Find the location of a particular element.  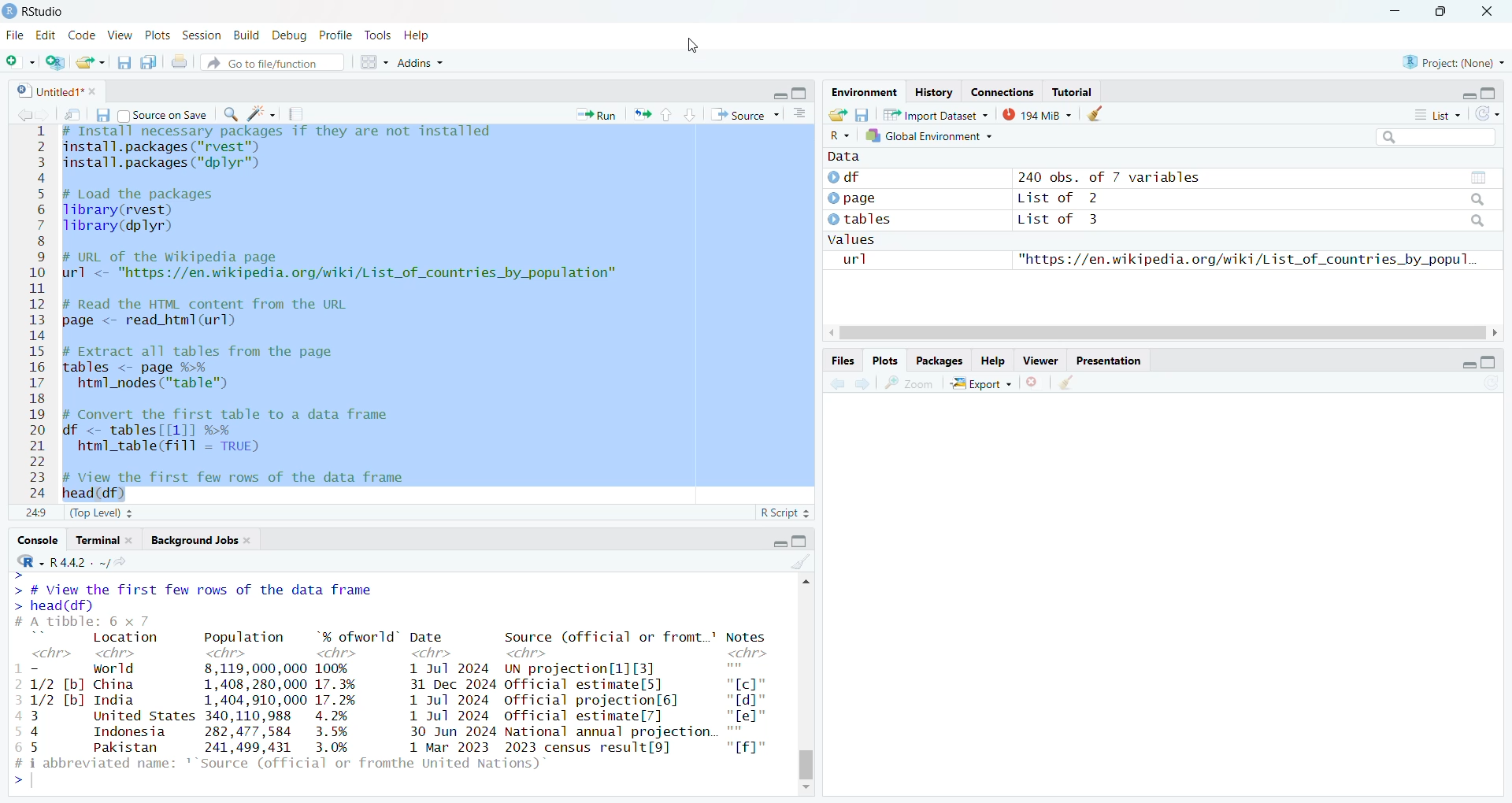

minimize is located at coordinates (778, 95).